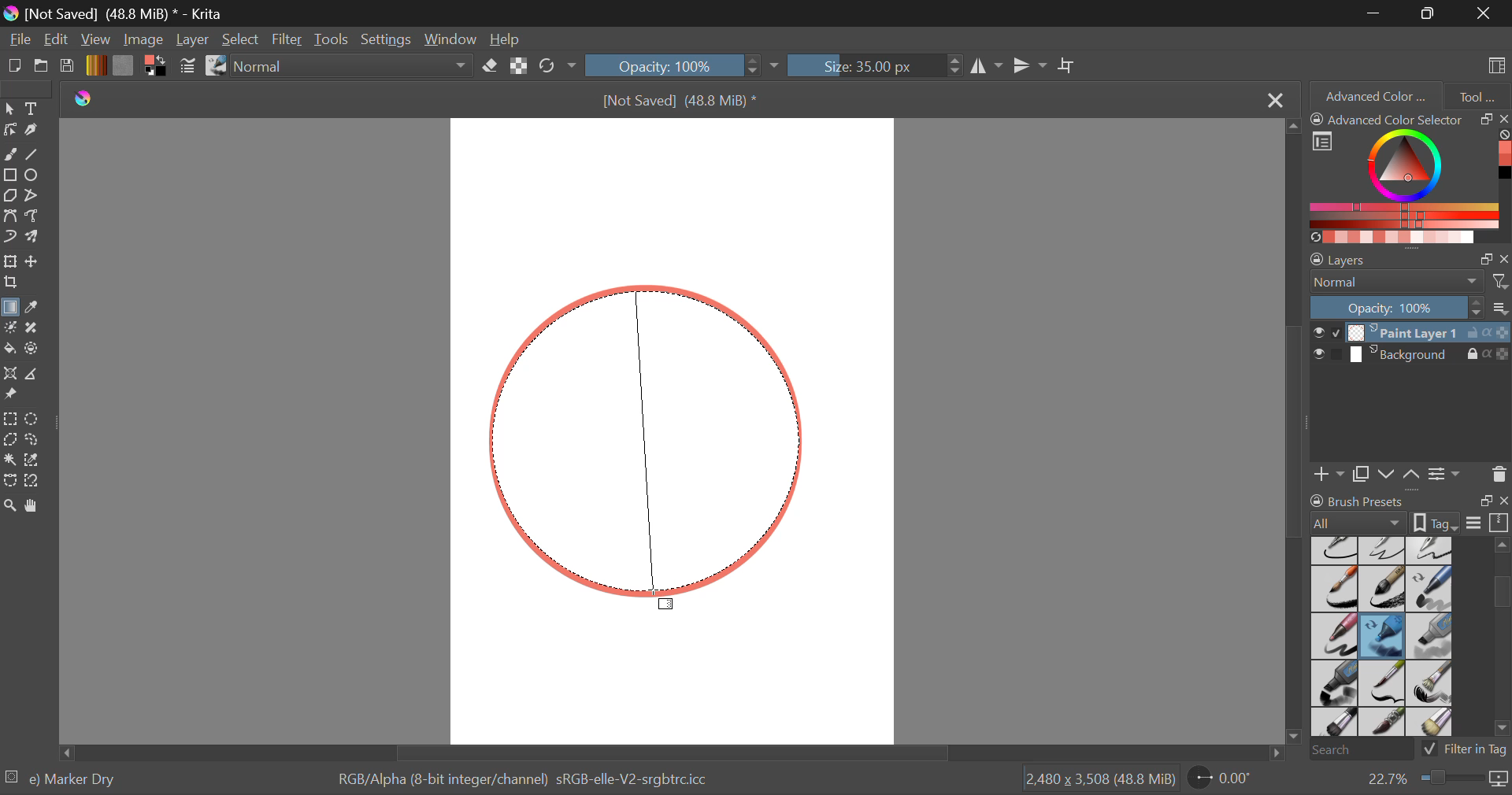  Describe the element at coordinates (10, 438) in the screenshot. I see `Polygonal Selection Tool` at that location.